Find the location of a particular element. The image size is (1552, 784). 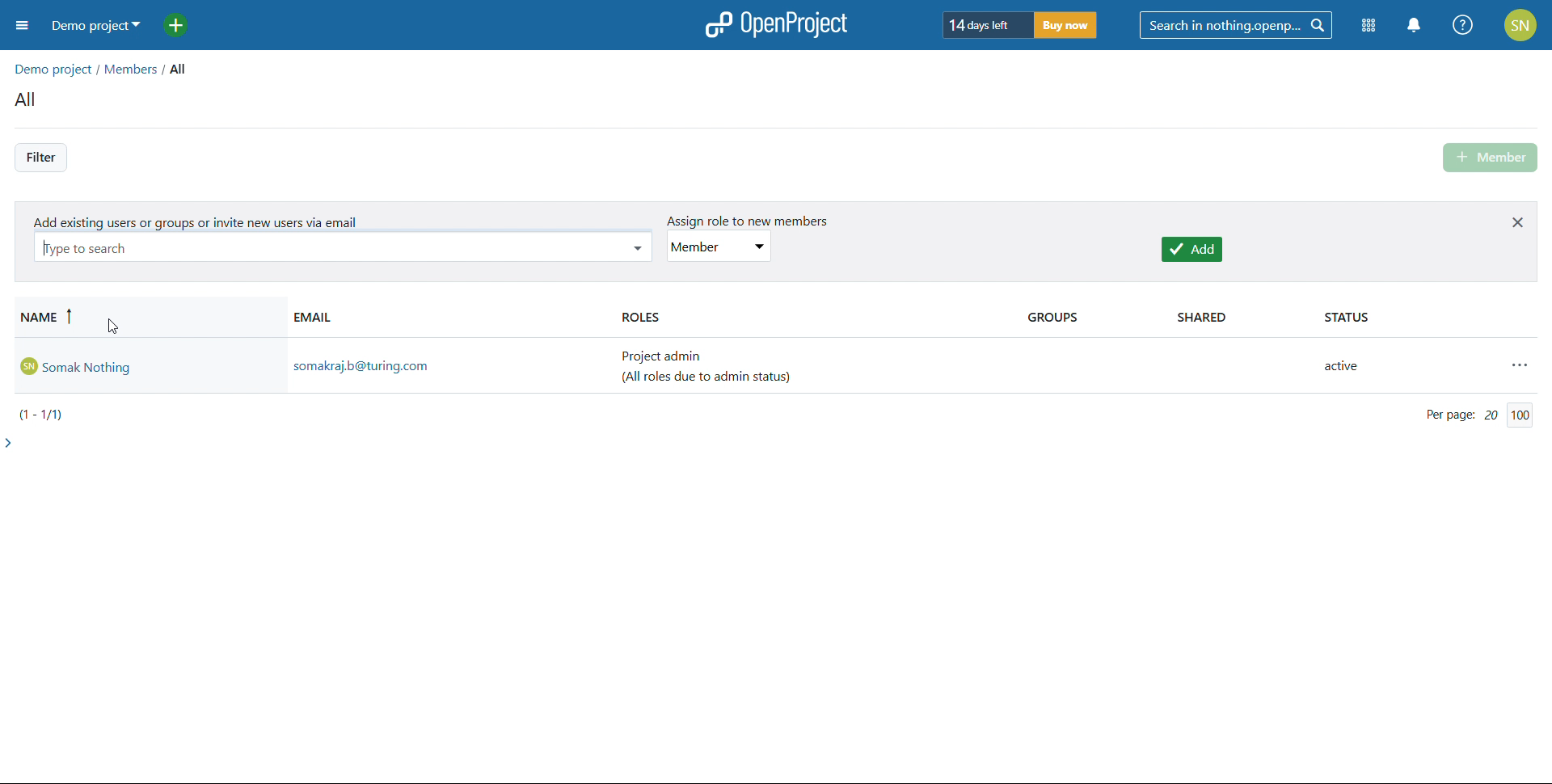

search is located at coordinates (1236, 25).